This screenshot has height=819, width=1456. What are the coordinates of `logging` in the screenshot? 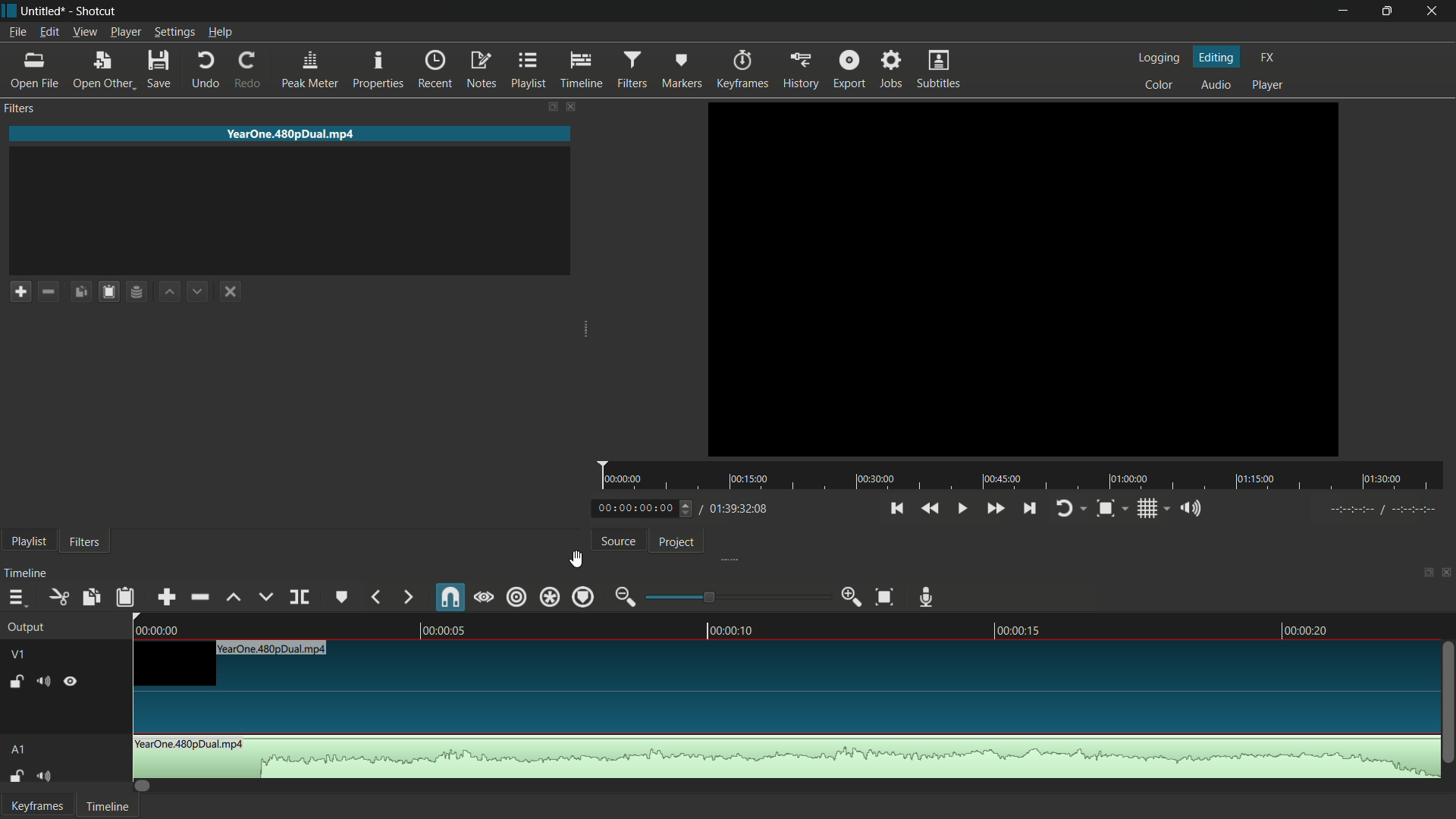 It's located at (1156, 58).